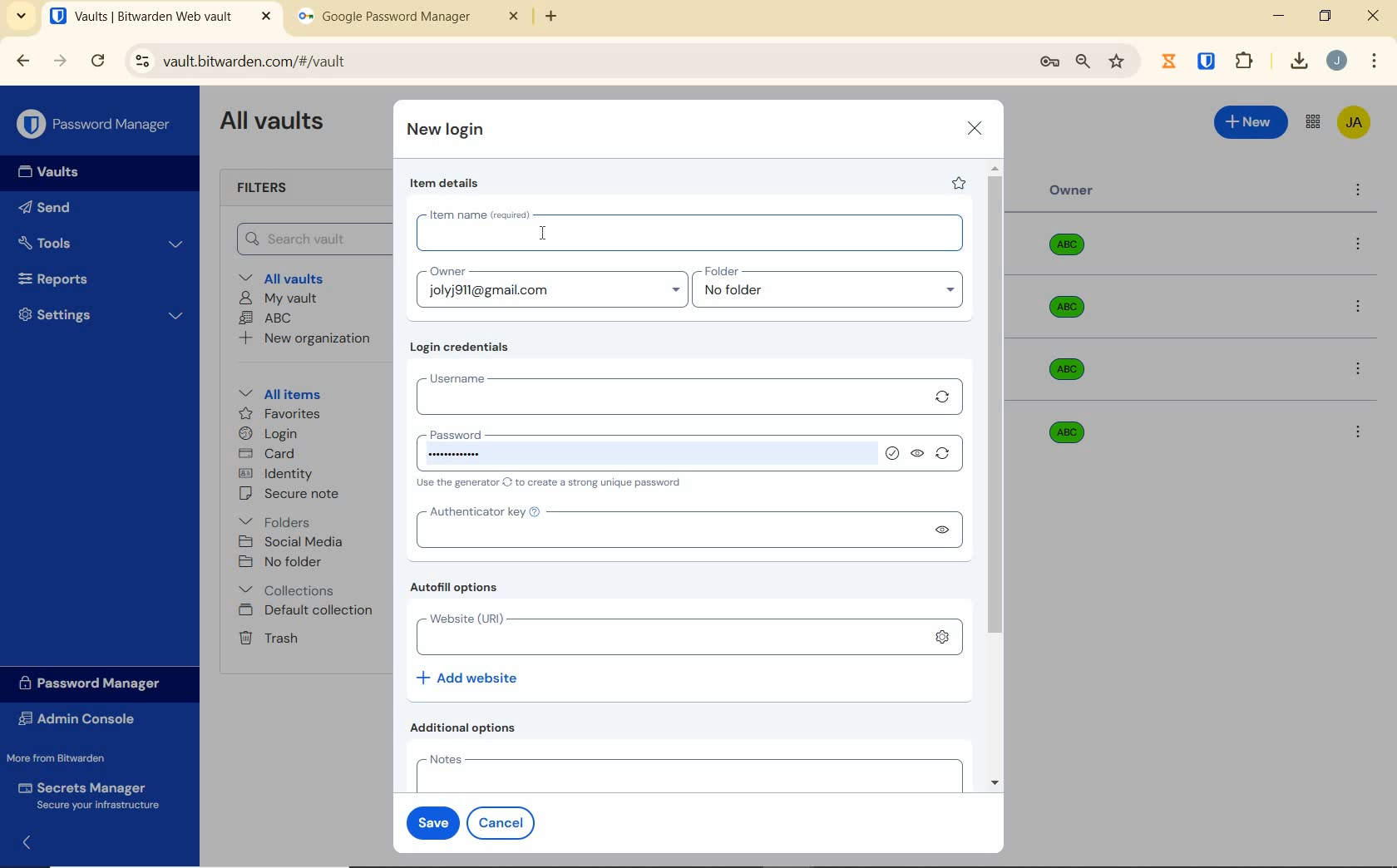 The width and height of the screenshot is (1397, 868). Describe the element at coordinates (458, 589) in the screenshot. I see `Autofill options` at that location.